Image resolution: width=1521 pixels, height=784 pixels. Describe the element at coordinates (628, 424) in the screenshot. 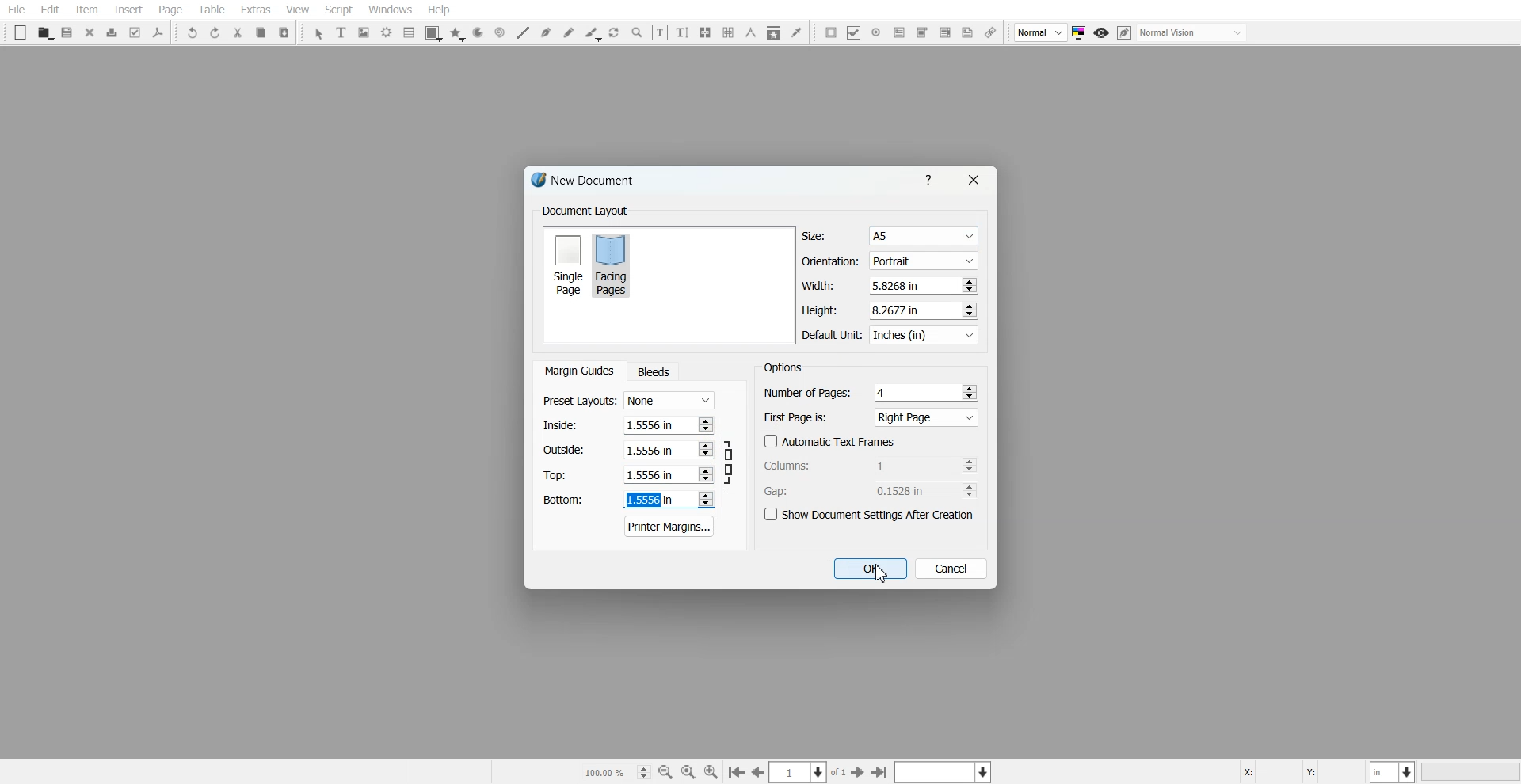

I see `Left margin adjuster` at that location.